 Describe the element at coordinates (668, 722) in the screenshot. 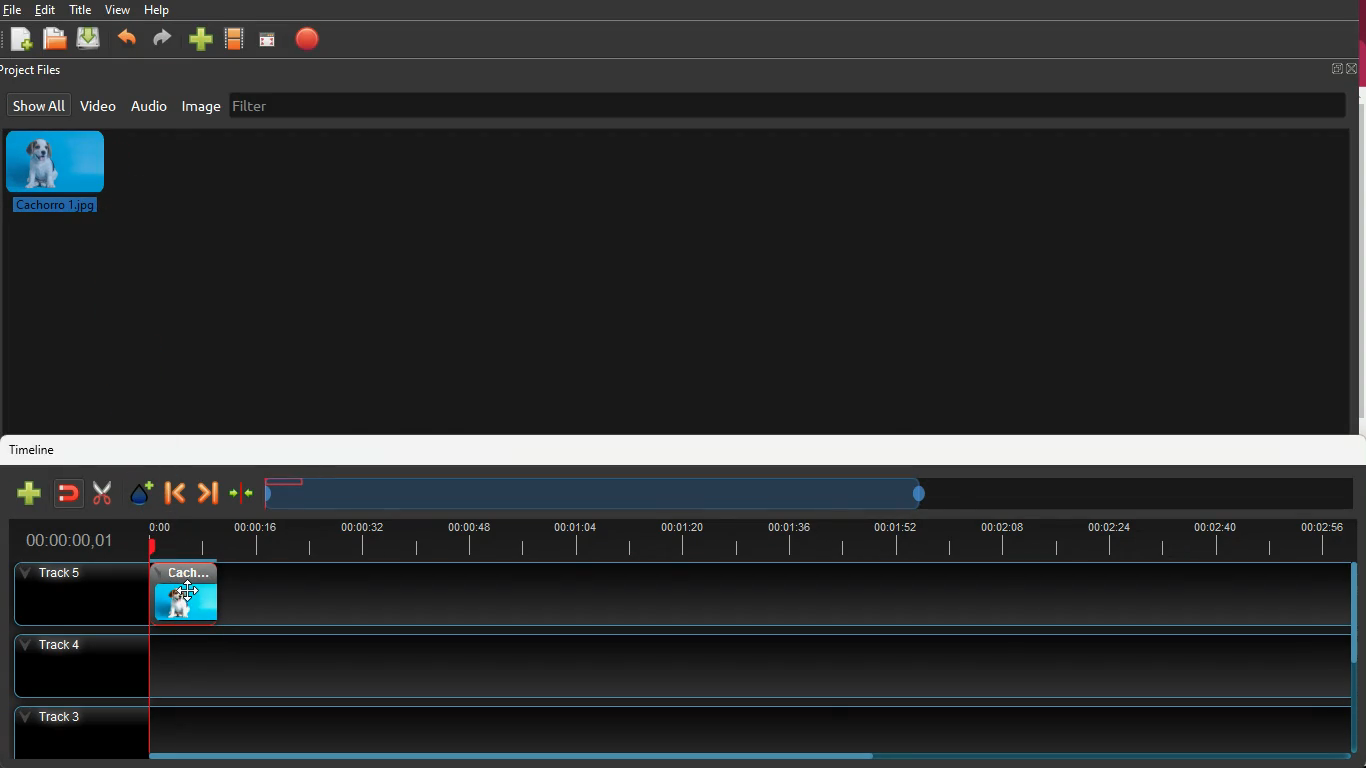

I see `track` at that location.